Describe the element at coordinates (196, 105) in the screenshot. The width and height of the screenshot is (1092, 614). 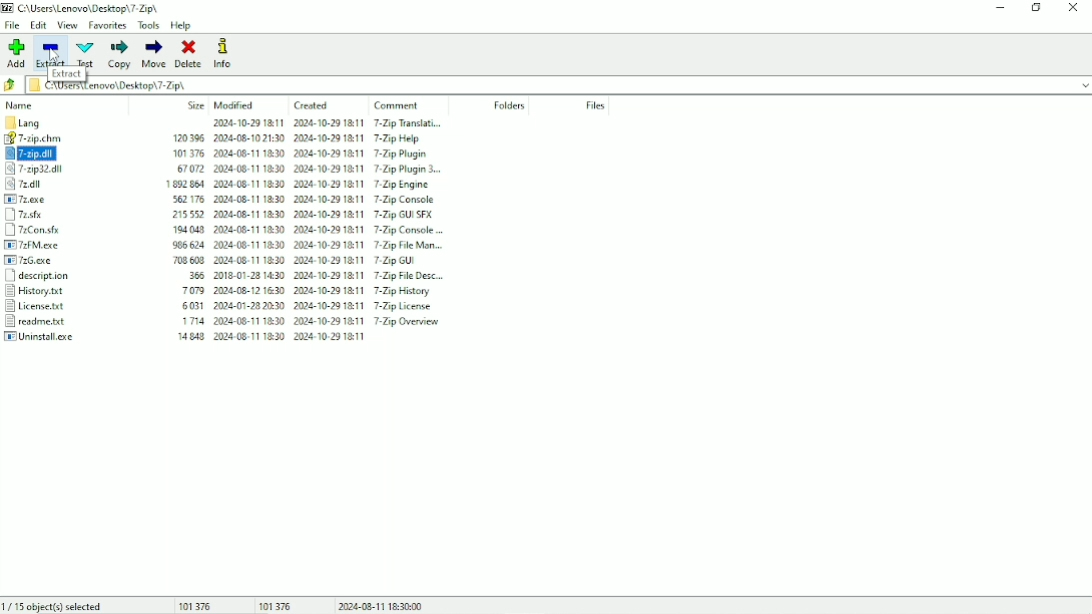
I see `Size` at that location.